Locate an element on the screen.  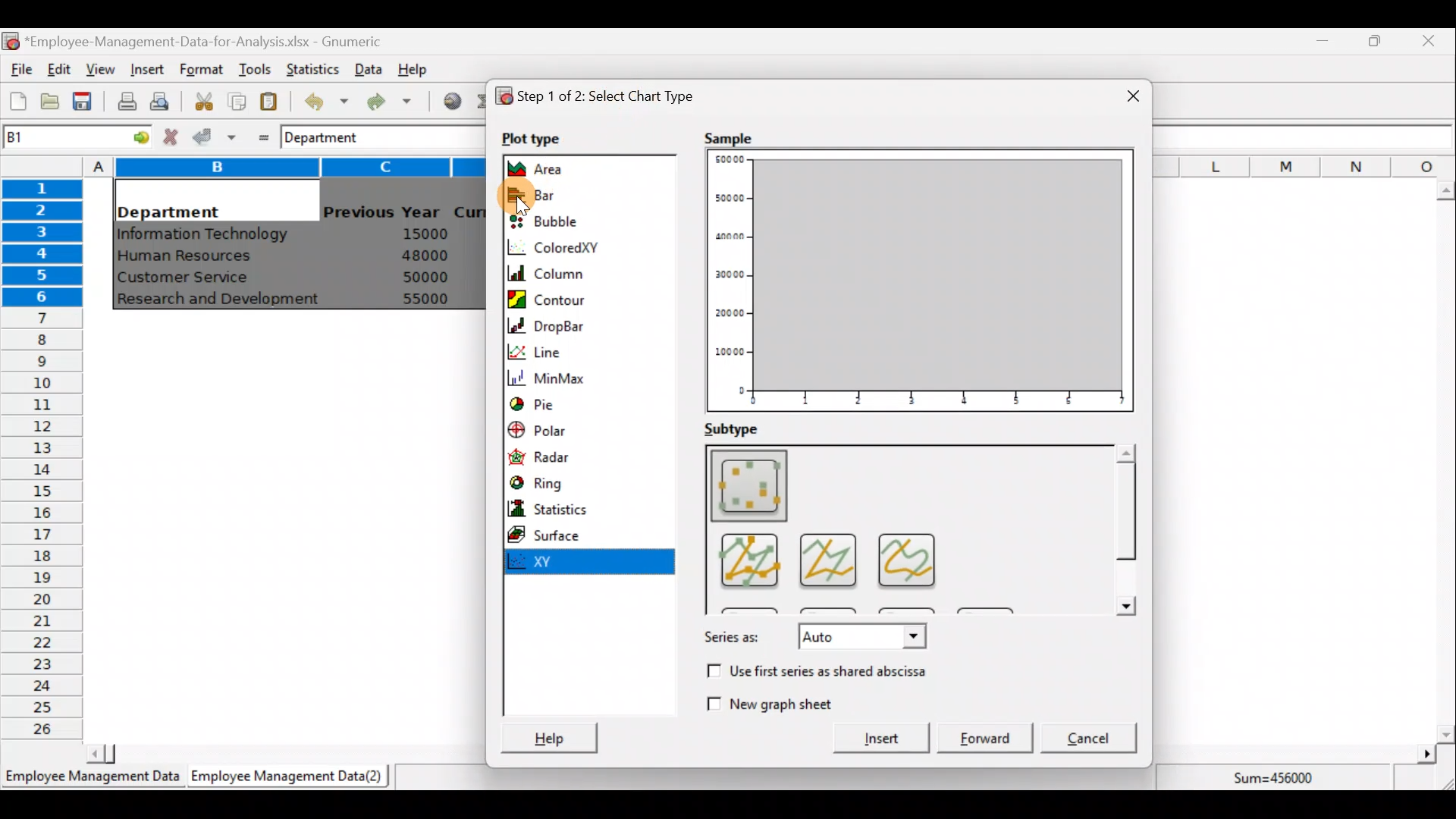
Cell name B1 is located at coordinates (50, 136).